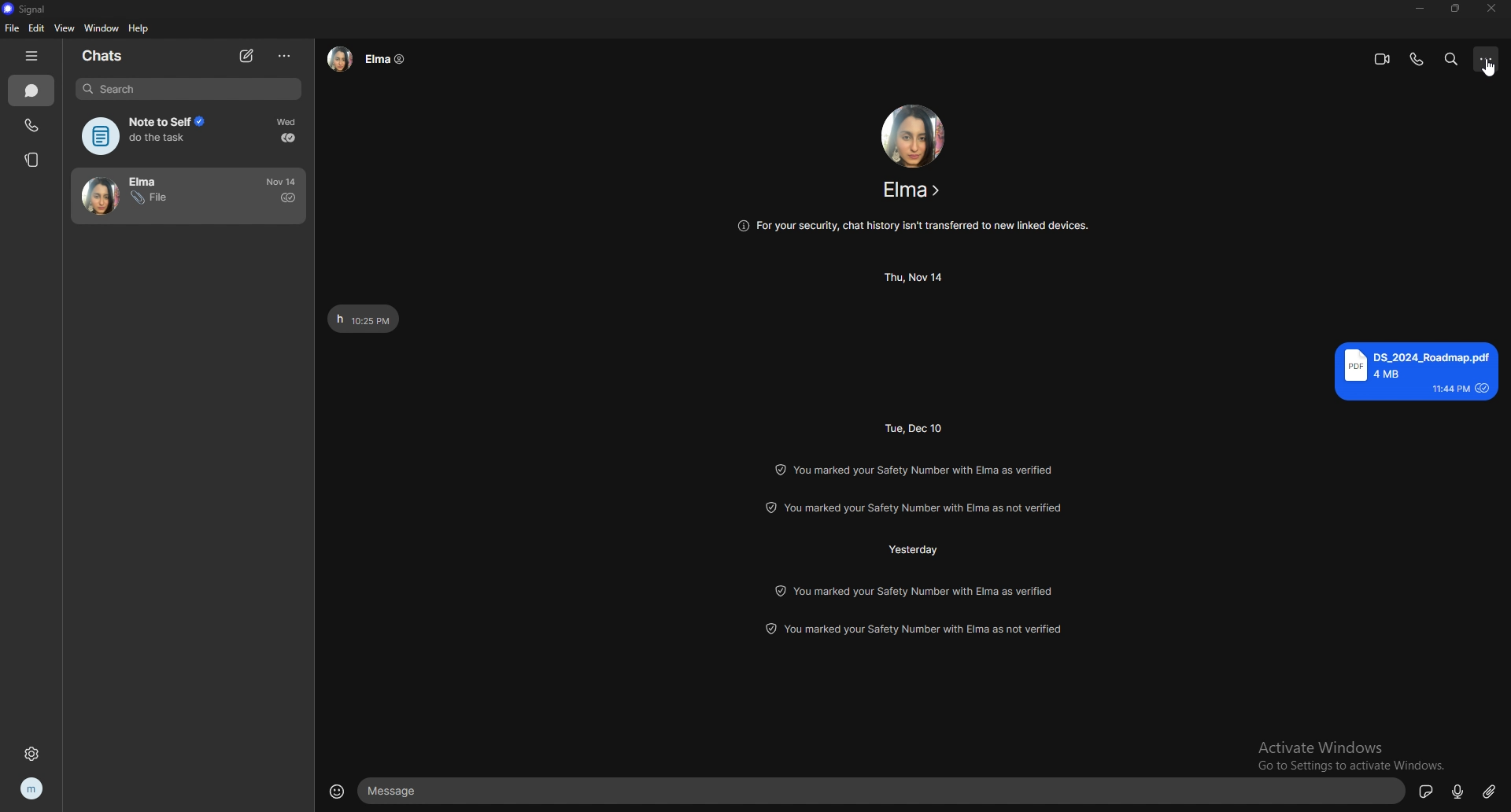 The image size is (1511, 812). What do you see at coordinates (1422, 8) in the screenshot?
I see `minimize` at bounding box center [1422, 8].